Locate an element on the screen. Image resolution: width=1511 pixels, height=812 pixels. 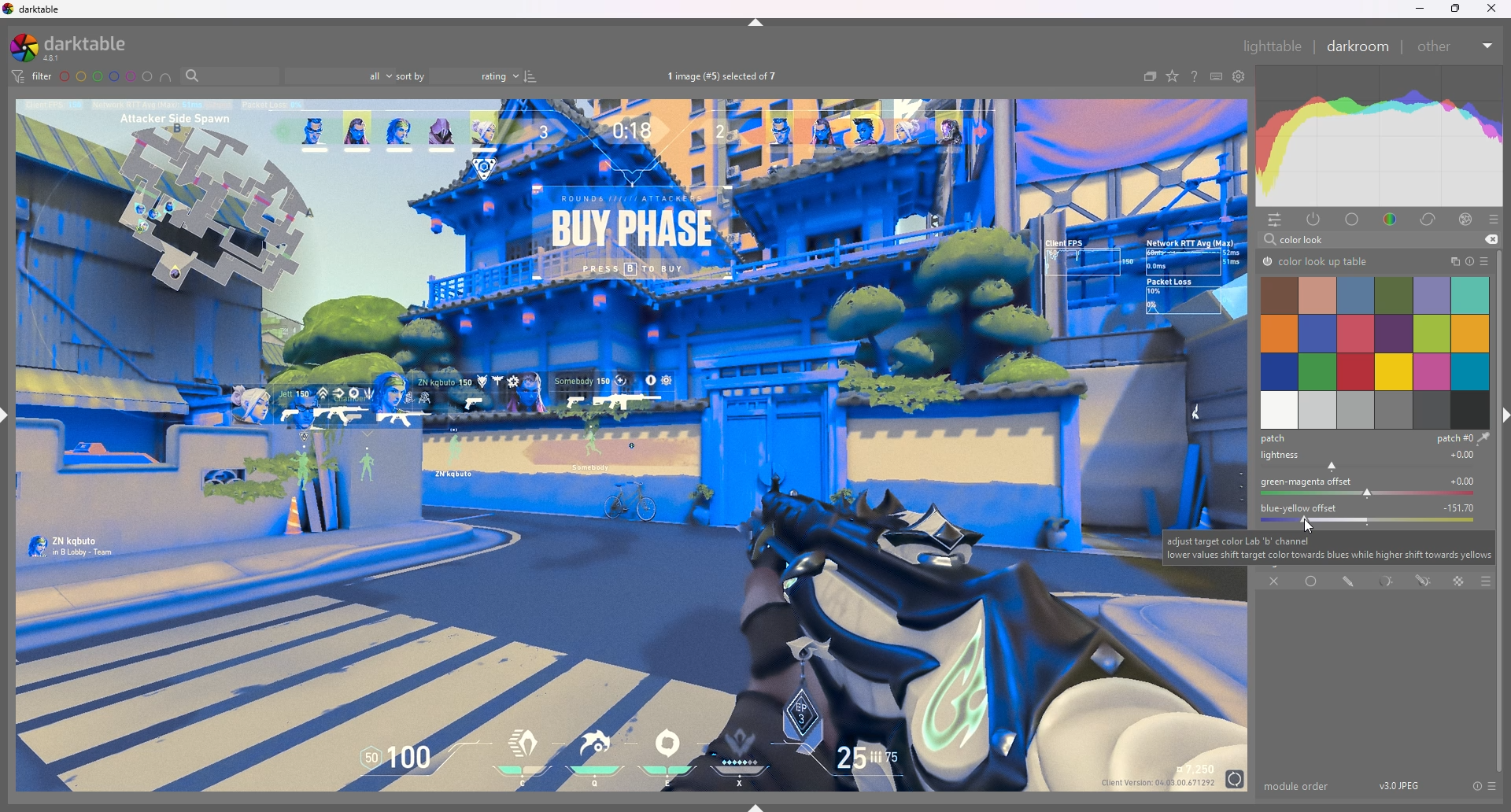
uniformly is located at coordinates (1311, 581).